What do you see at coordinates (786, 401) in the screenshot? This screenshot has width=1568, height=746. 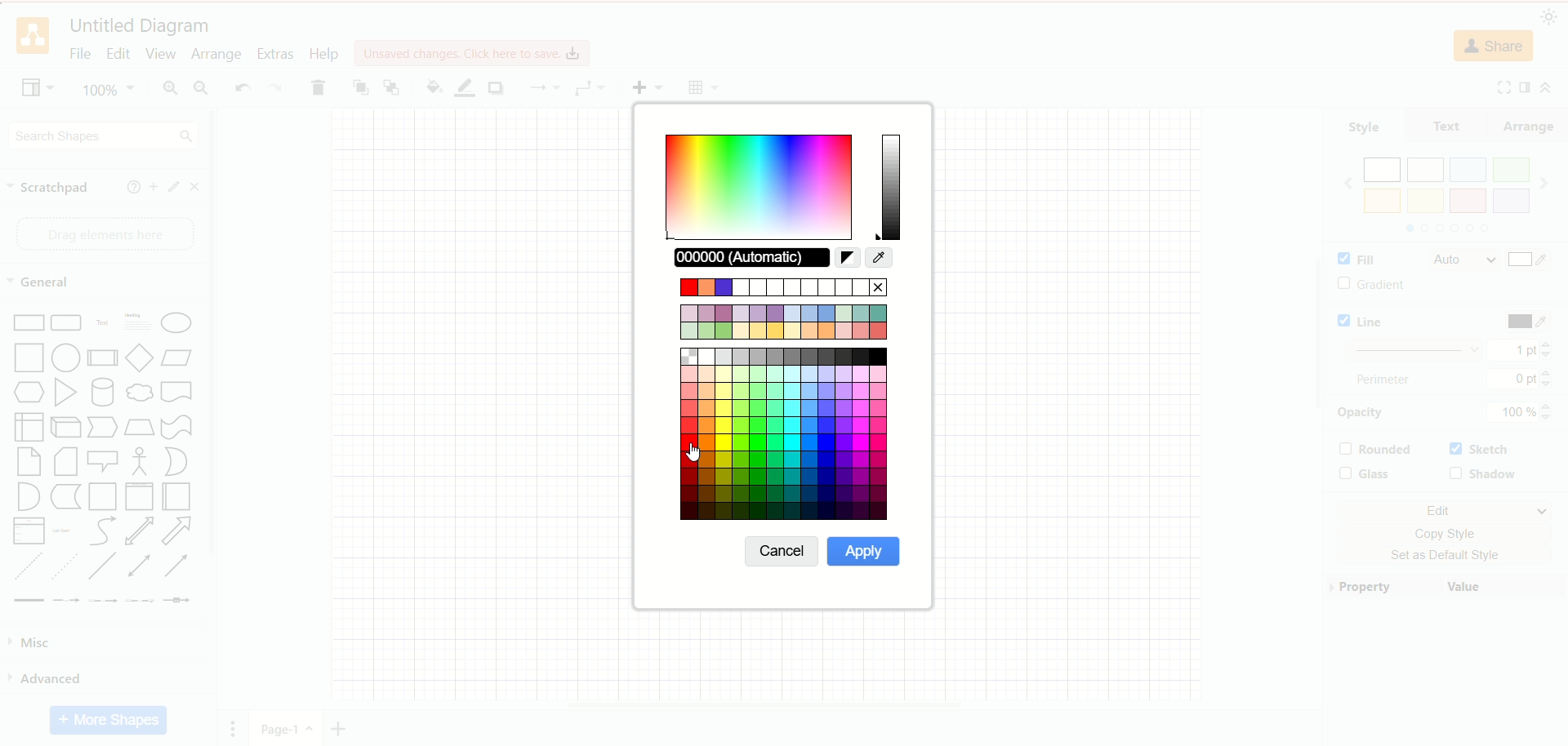 I see `color pallete` at bounding box center [786, 401].